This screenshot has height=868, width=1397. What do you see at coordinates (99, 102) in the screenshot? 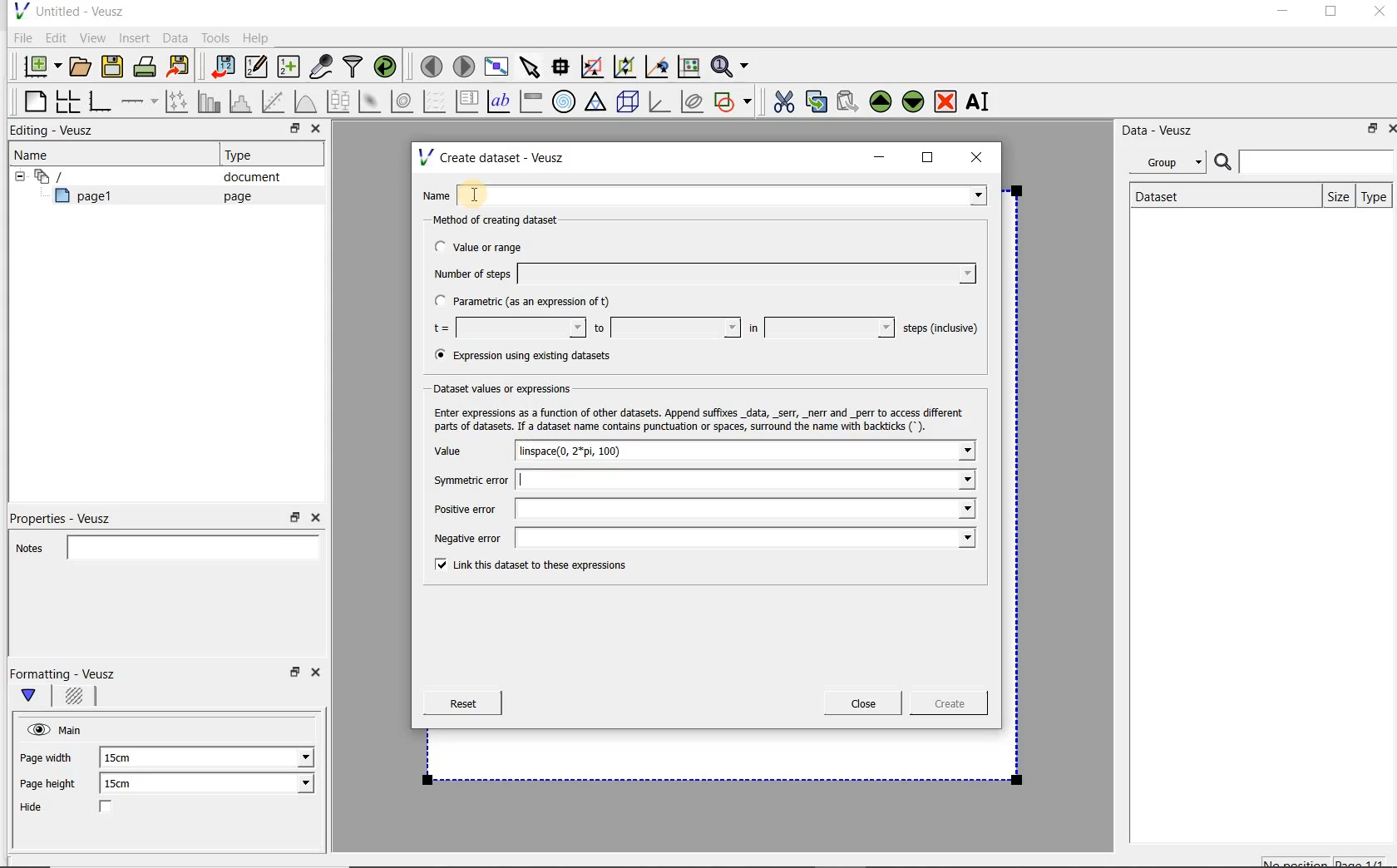
I see `base graph` at bounding box center [99, 102].